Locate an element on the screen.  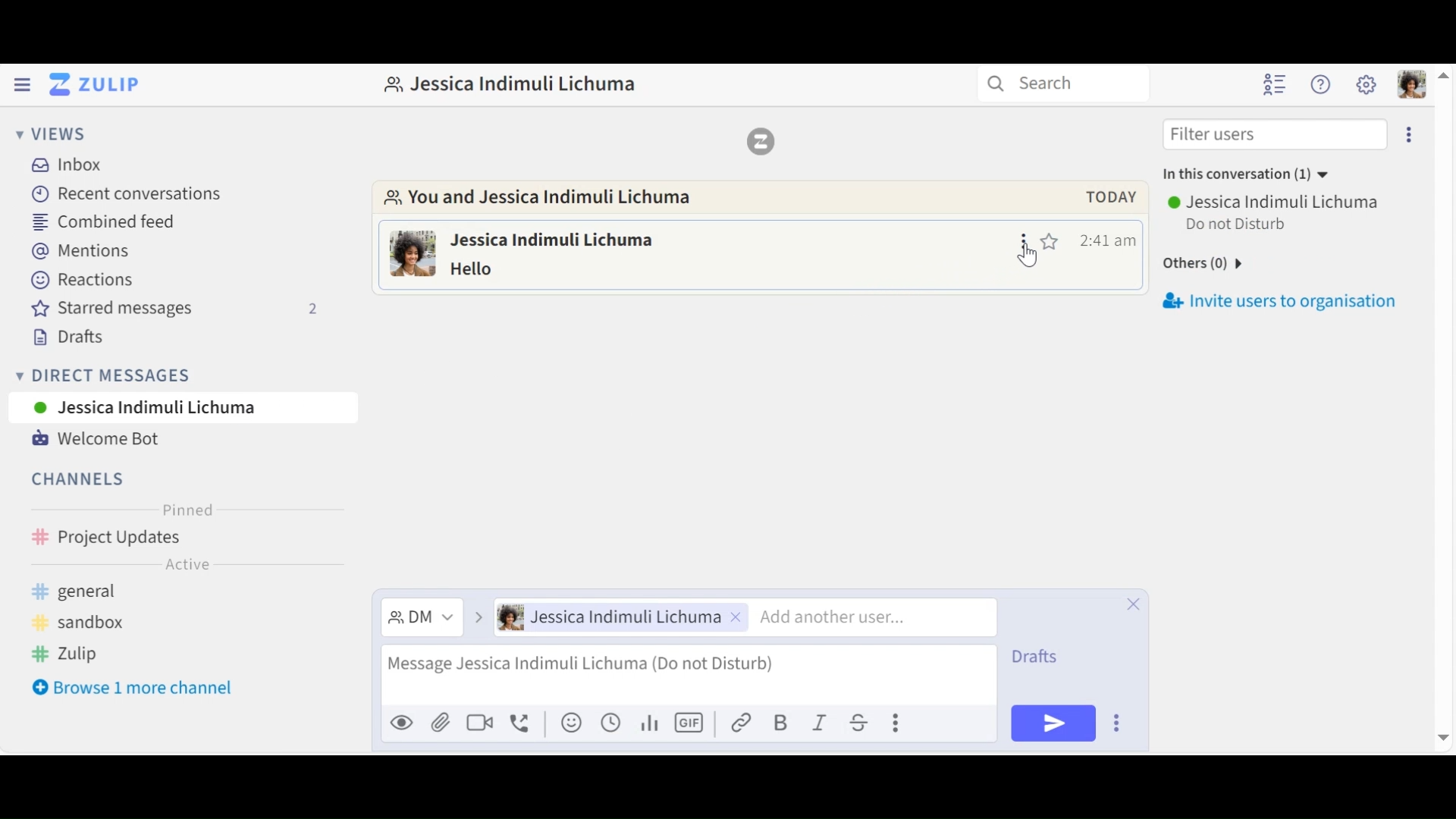
Preview is located at coordinates (403, 725).